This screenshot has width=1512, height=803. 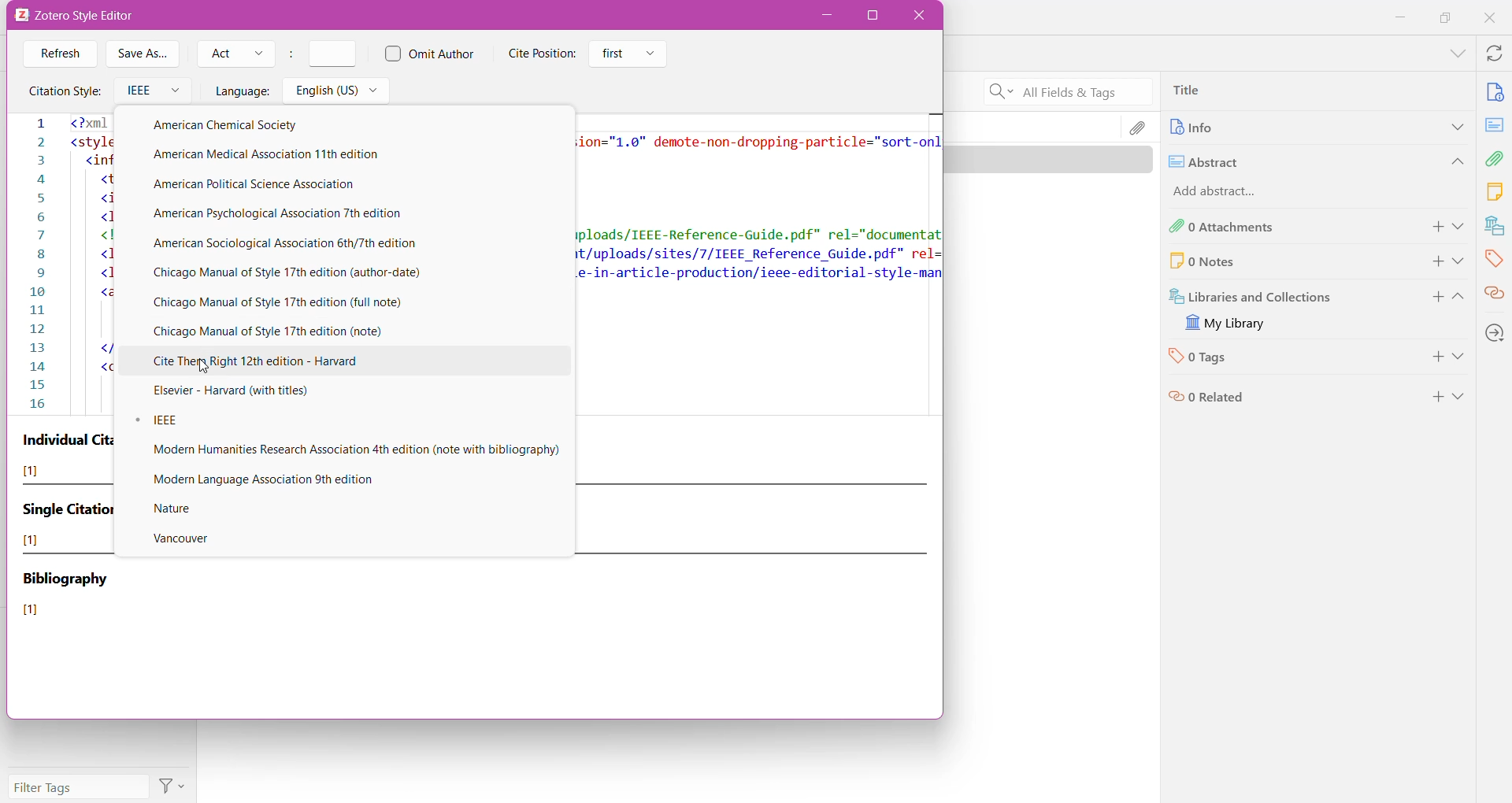 What do you see at coordinates (298, 213) in the screenshot?
I see `American Psychological Association 7th Edition` at bounding box center [298, 213].